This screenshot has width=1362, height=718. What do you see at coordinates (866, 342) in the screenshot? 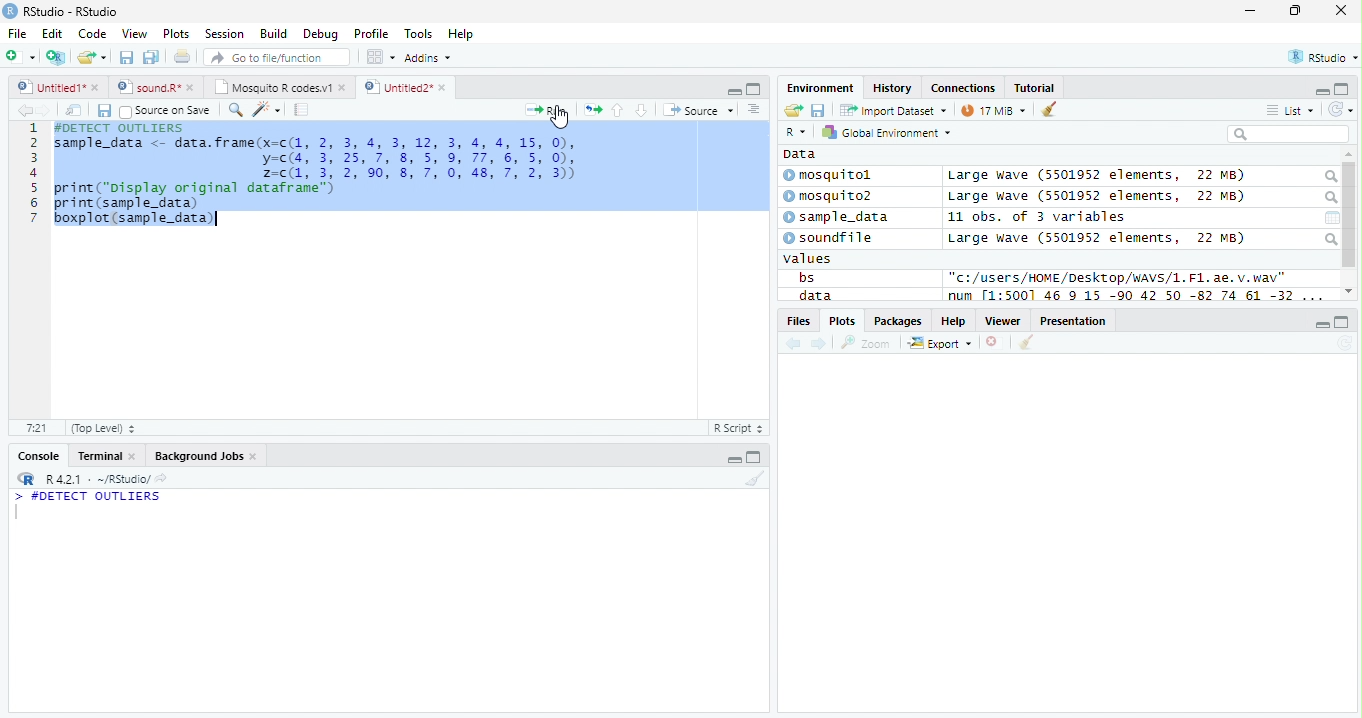
I see `zoom` at bounding box center [866, 342].